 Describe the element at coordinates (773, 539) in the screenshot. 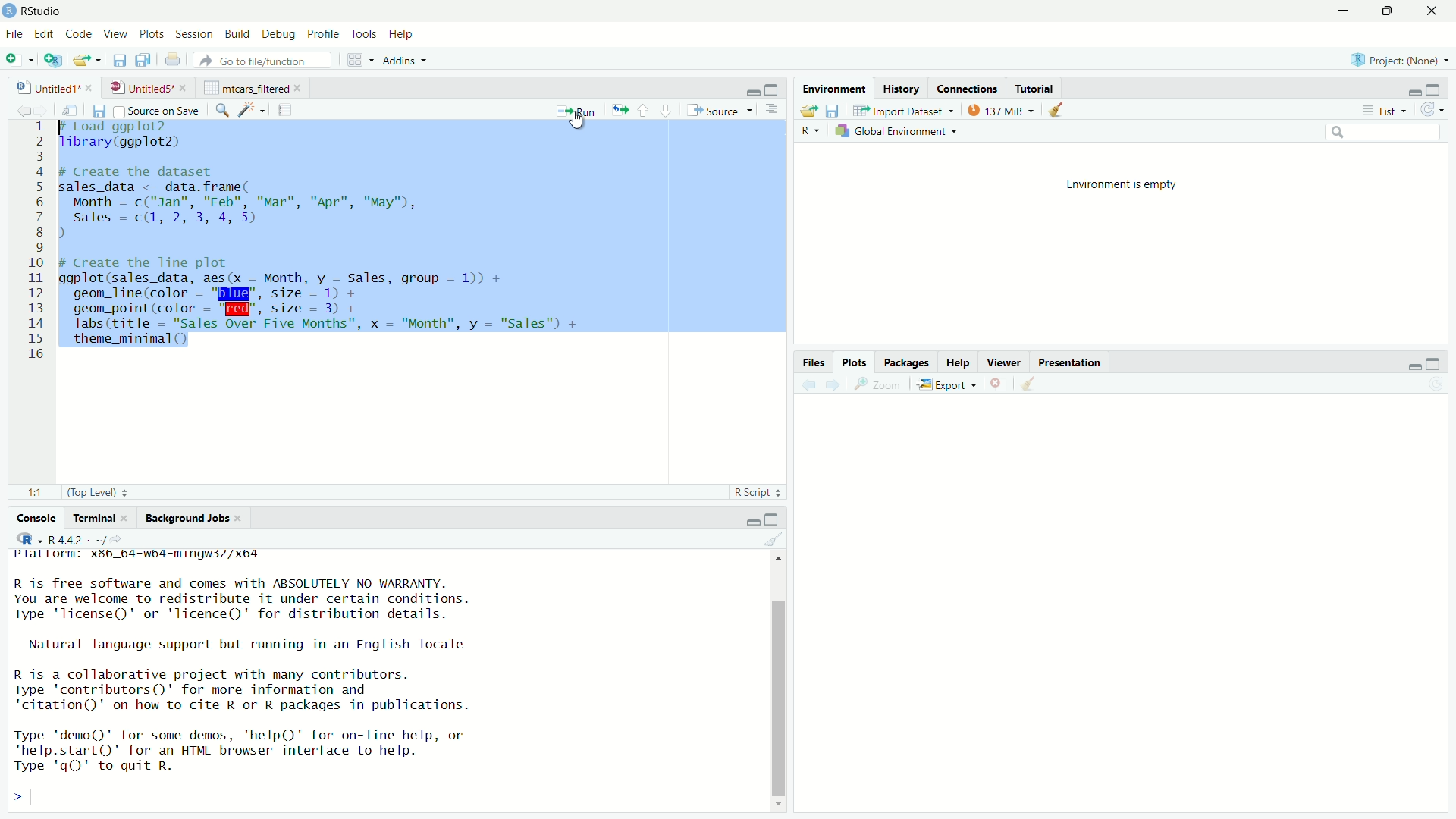

I see `clear console` at that location.